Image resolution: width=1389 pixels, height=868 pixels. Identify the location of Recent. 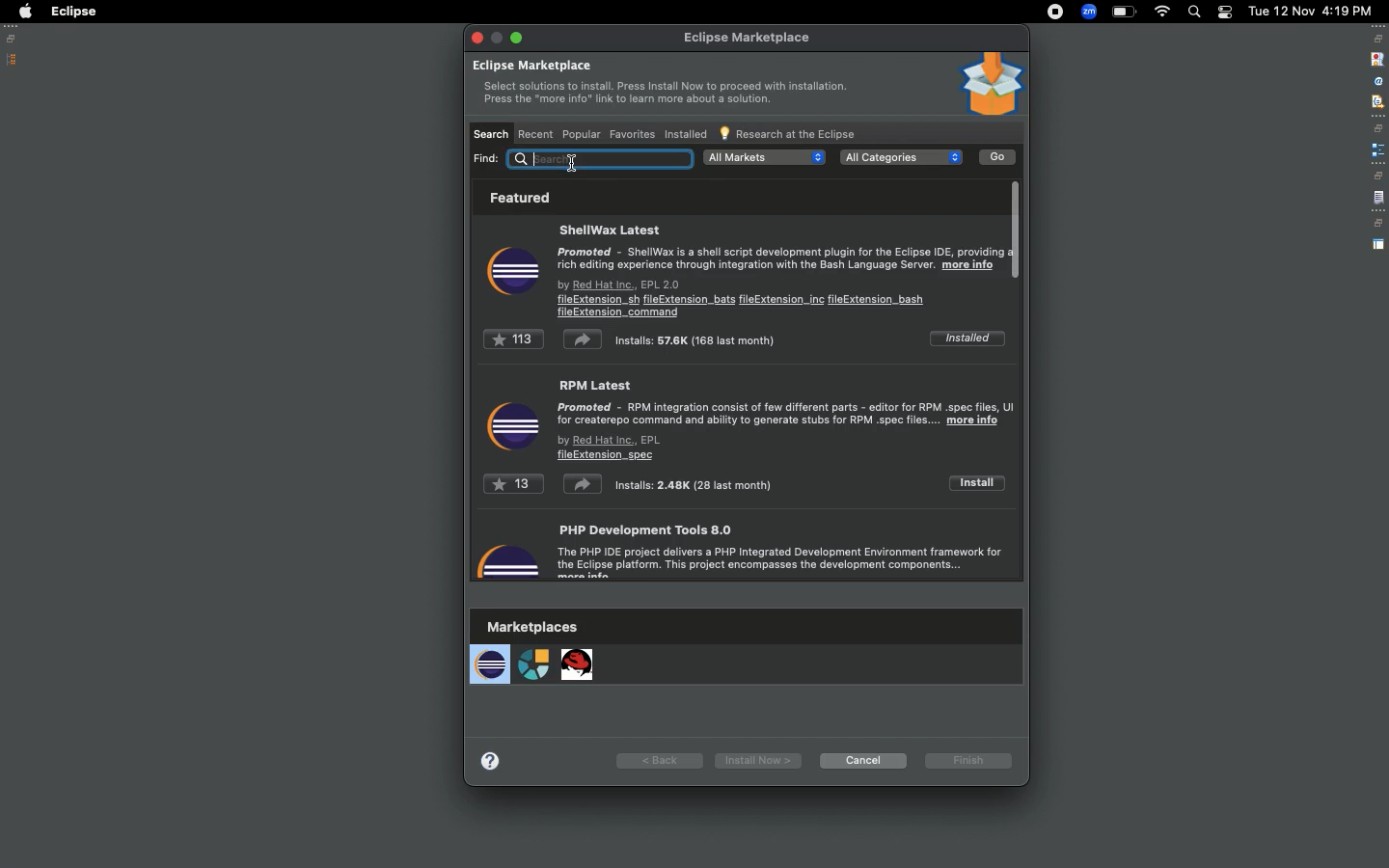
(537, 134).